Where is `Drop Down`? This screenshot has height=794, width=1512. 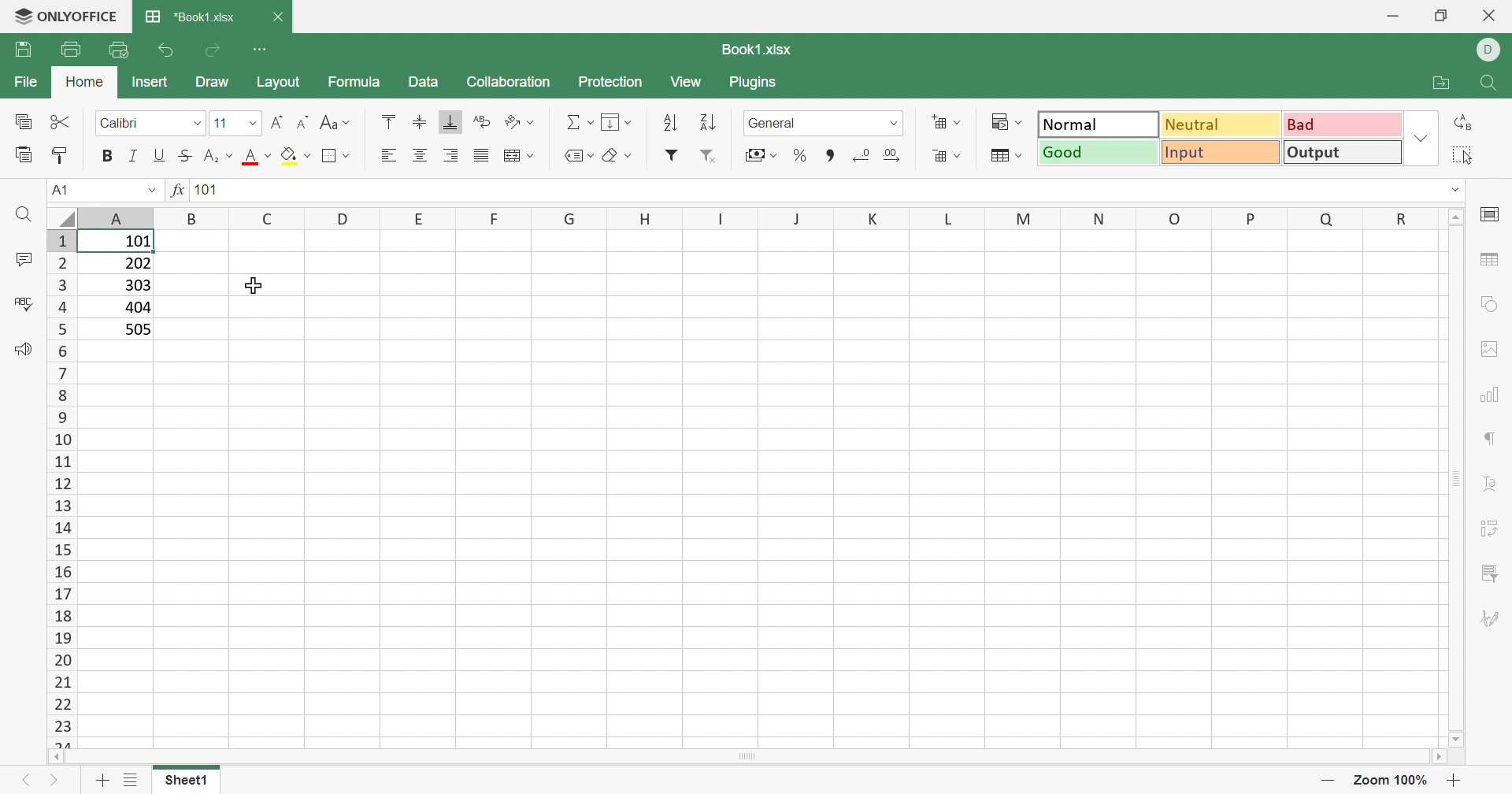 Drop Down is located at coordinates (152, 191).